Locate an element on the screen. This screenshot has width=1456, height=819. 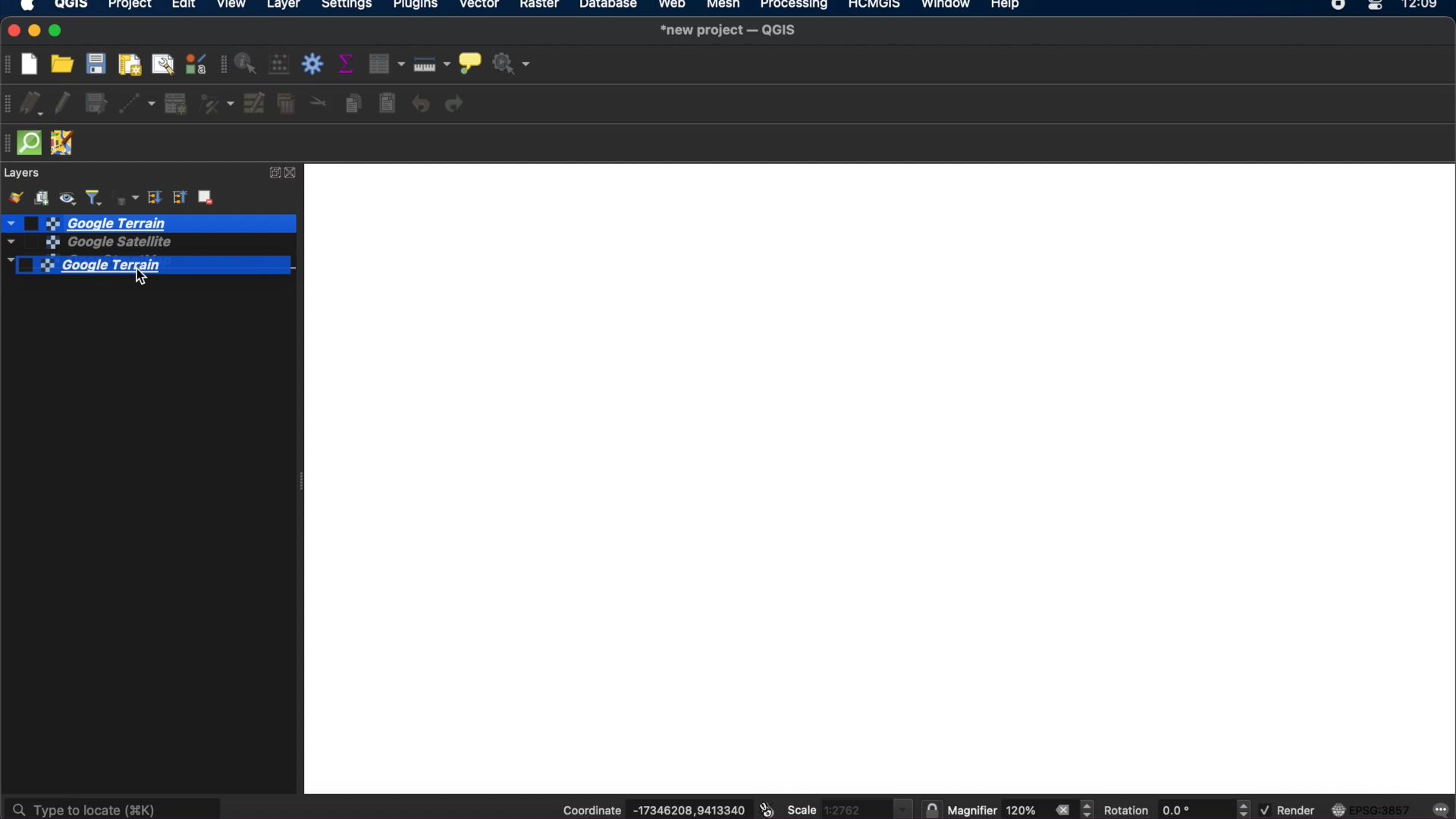
add record is located at coordinates (175, 104).